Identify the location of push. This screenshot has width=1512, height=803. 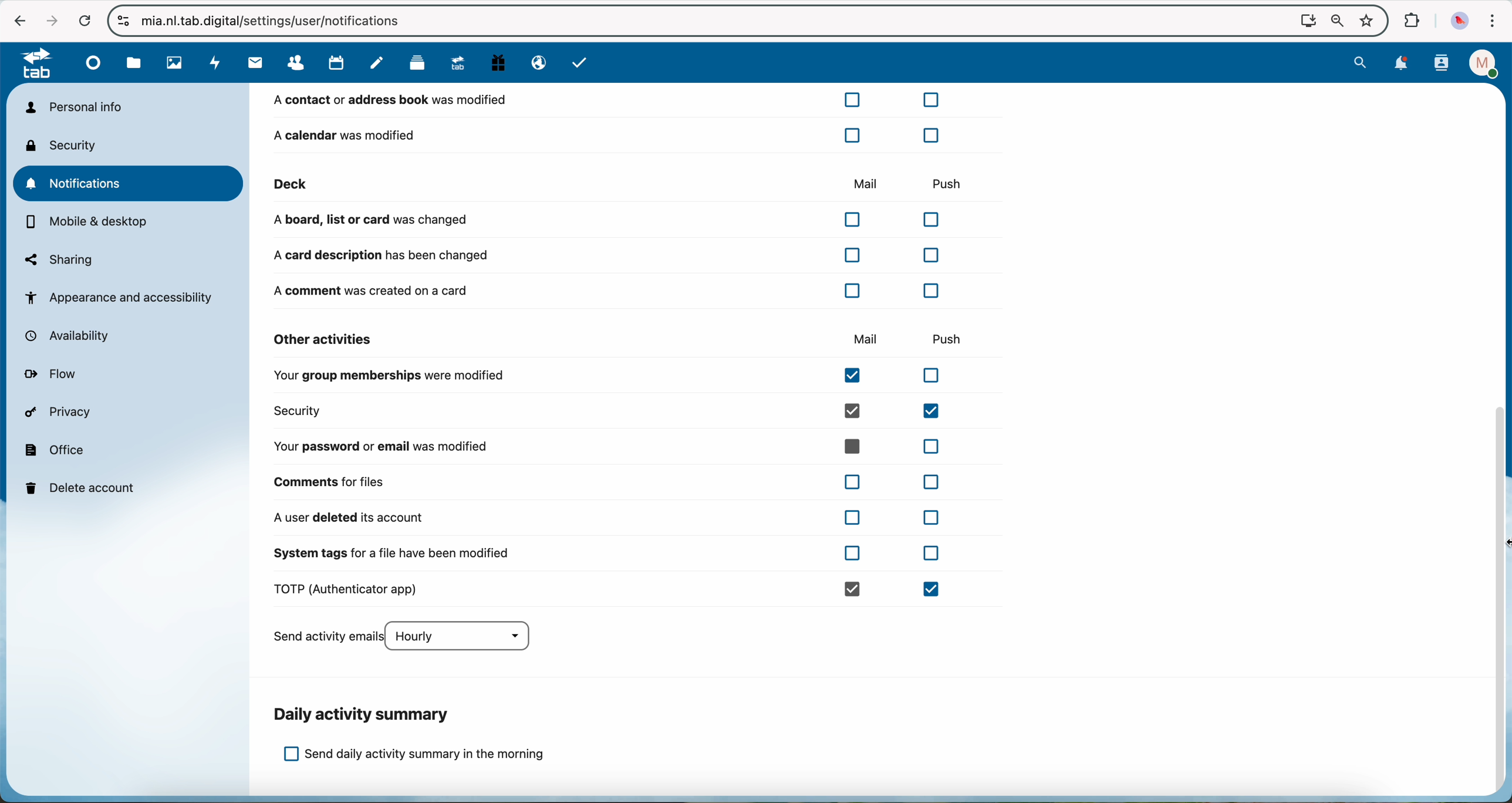
(953, 338).